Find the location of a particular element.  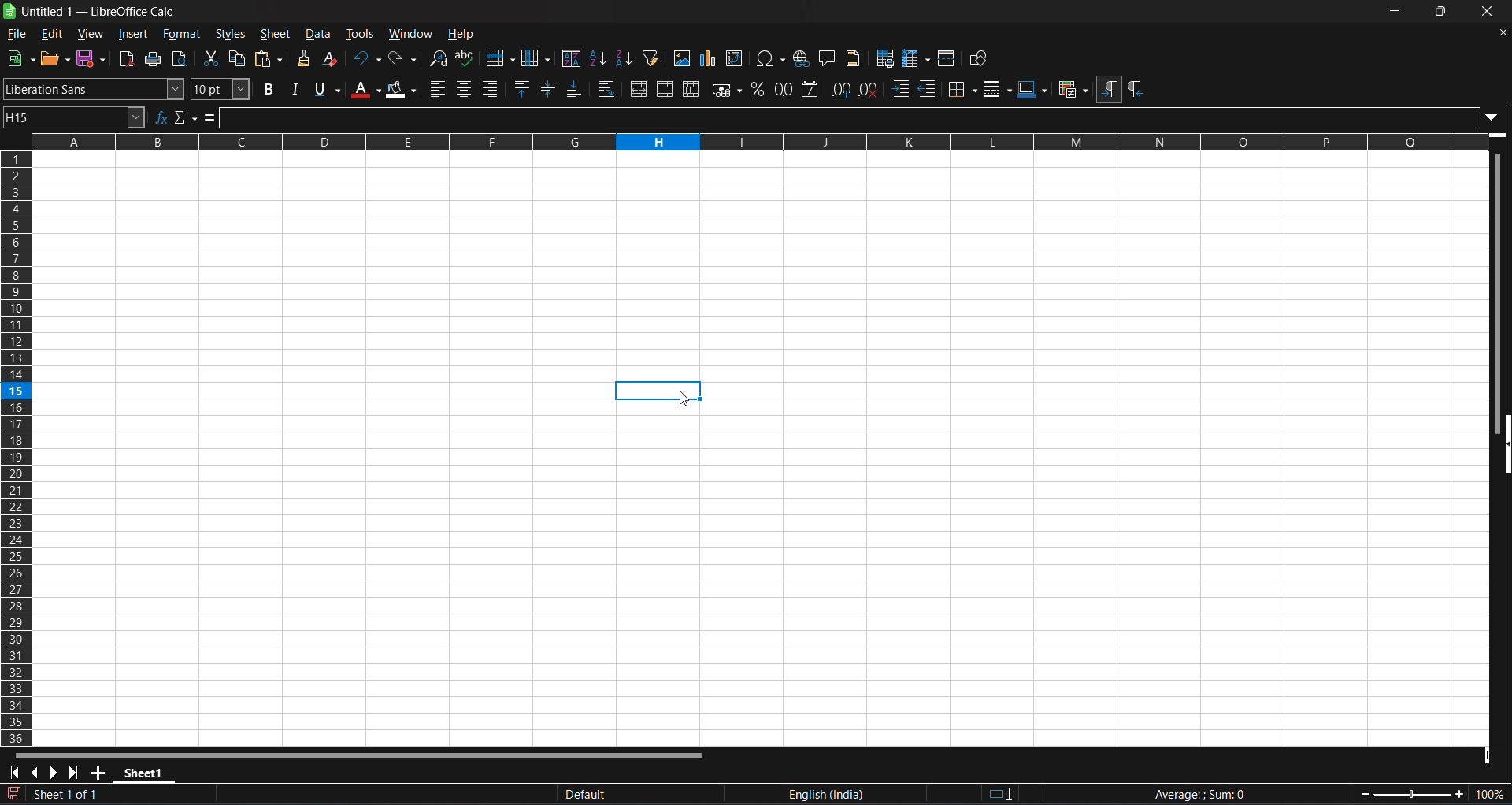

insert or edit pivot table is located at coordinates (734, 59).